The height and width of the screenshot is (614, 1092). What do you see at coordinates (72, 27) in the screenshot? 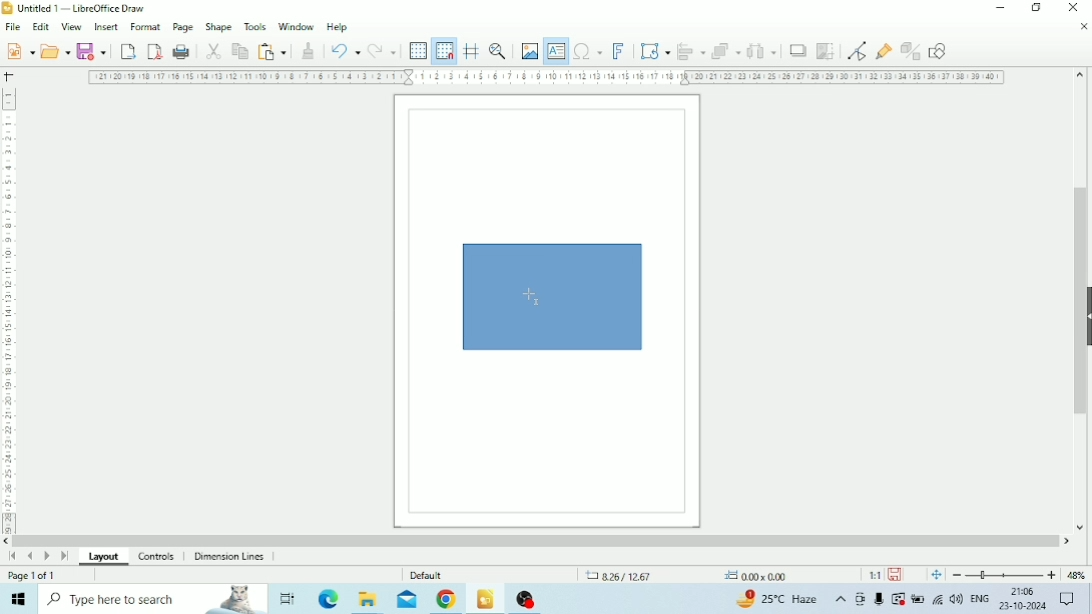
I see `View` at bounding box center [72, 27].